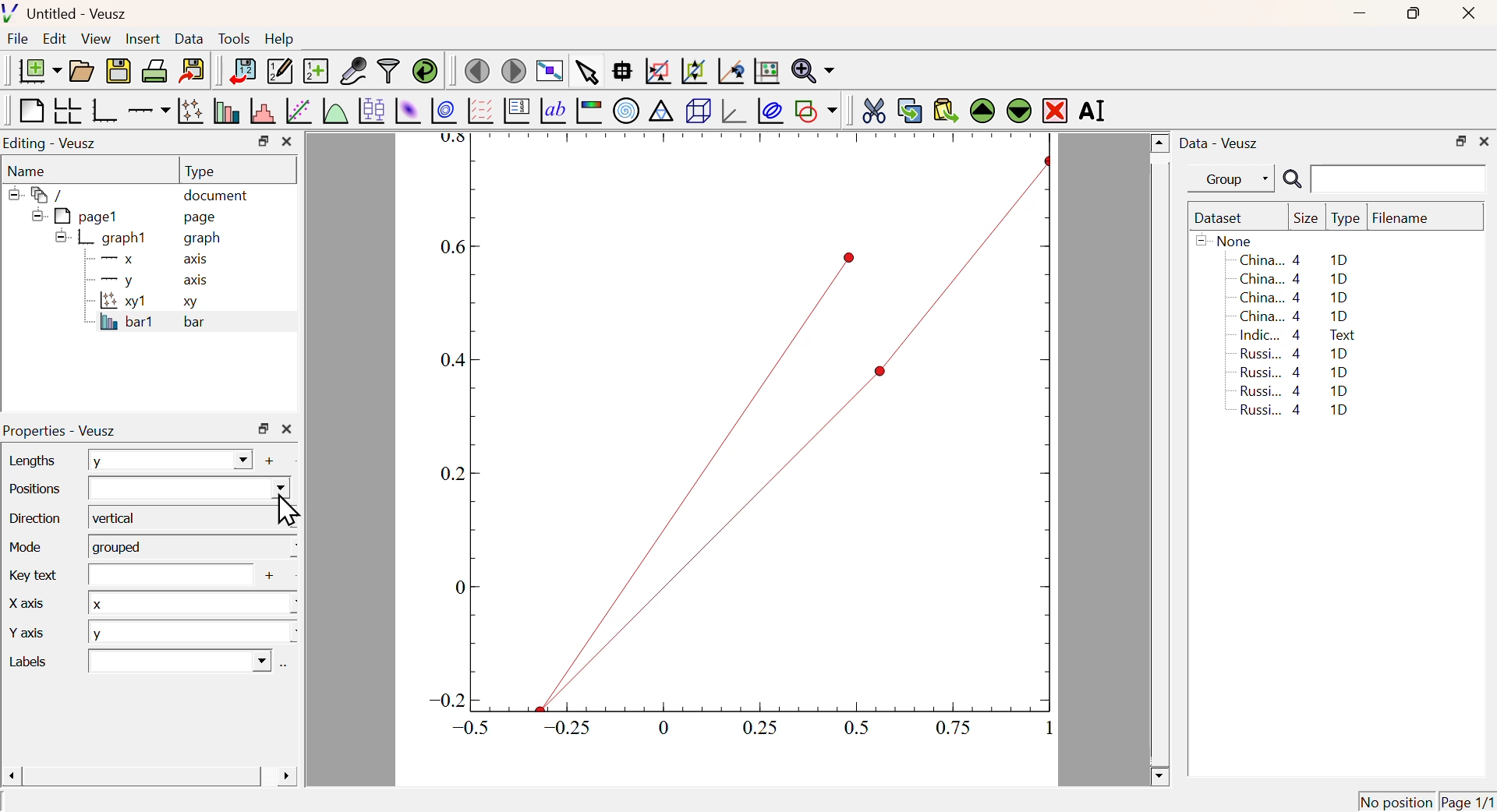 The width and height of the screenshot is (1497, 812). What do you see at coordinates (589, 111) in the screenshot?
I see `Image Color bar` at bounding box center [589, 111].